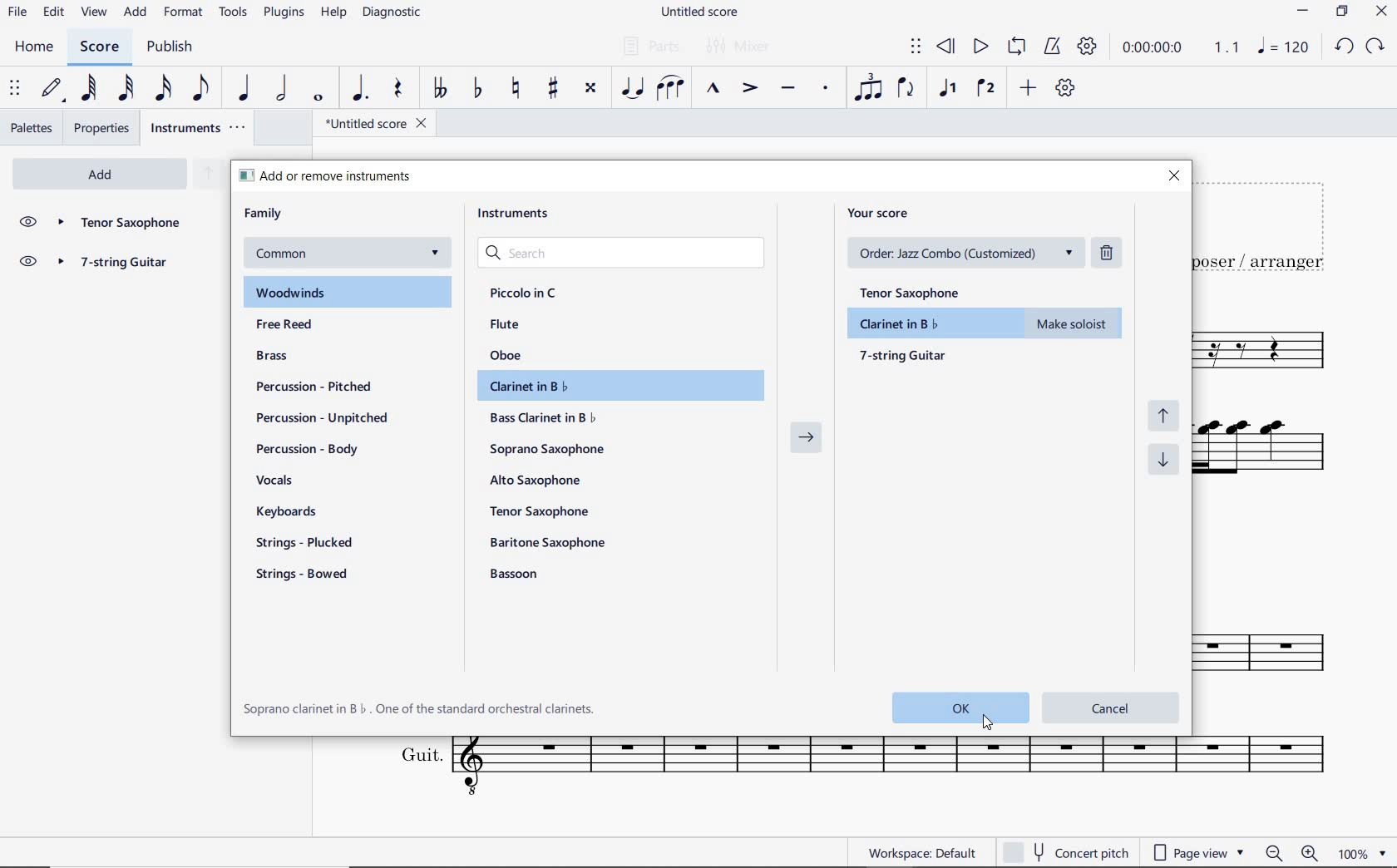 The width and height of the screenshot is (1397, 868). What do you see at coordinates (1064, 88) in the screenshot?
I see `CUSTOMIZE TOOLBAR` at bounding box center [1064, 88].